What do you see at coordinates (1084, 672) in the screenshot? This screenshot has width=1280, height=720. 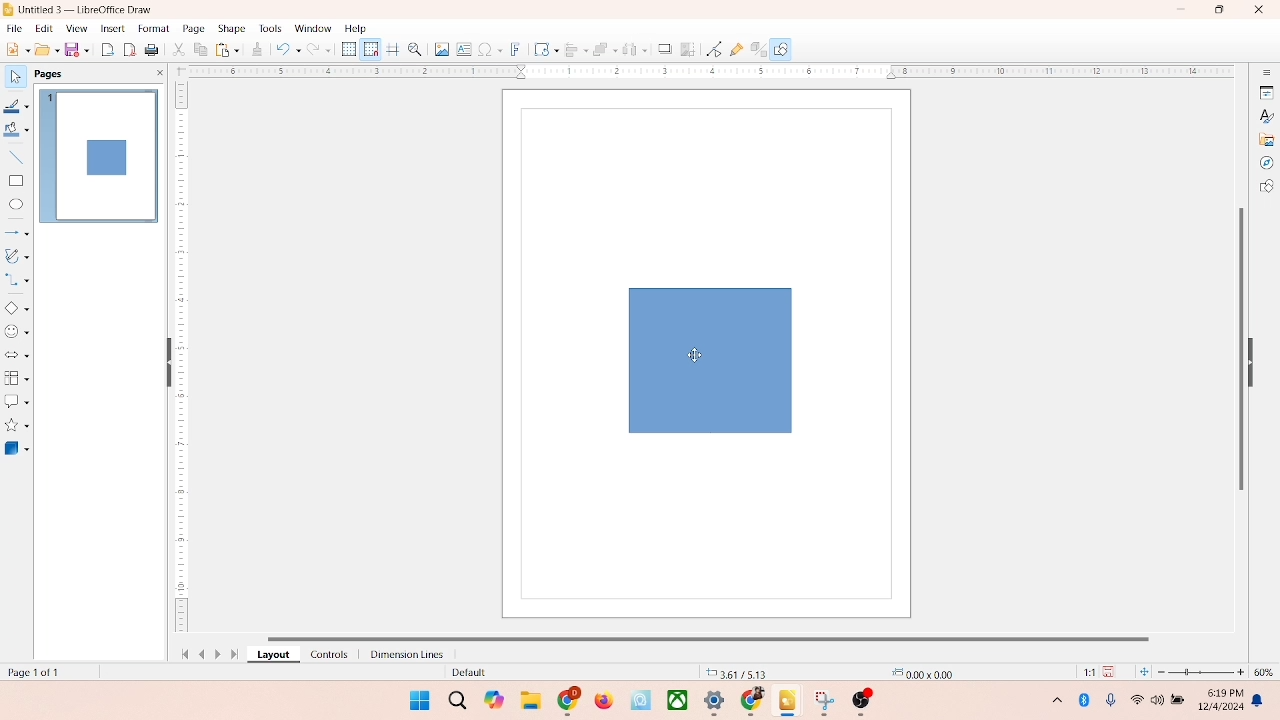 I see `scaling factor` at bounding box center [1084, 672].